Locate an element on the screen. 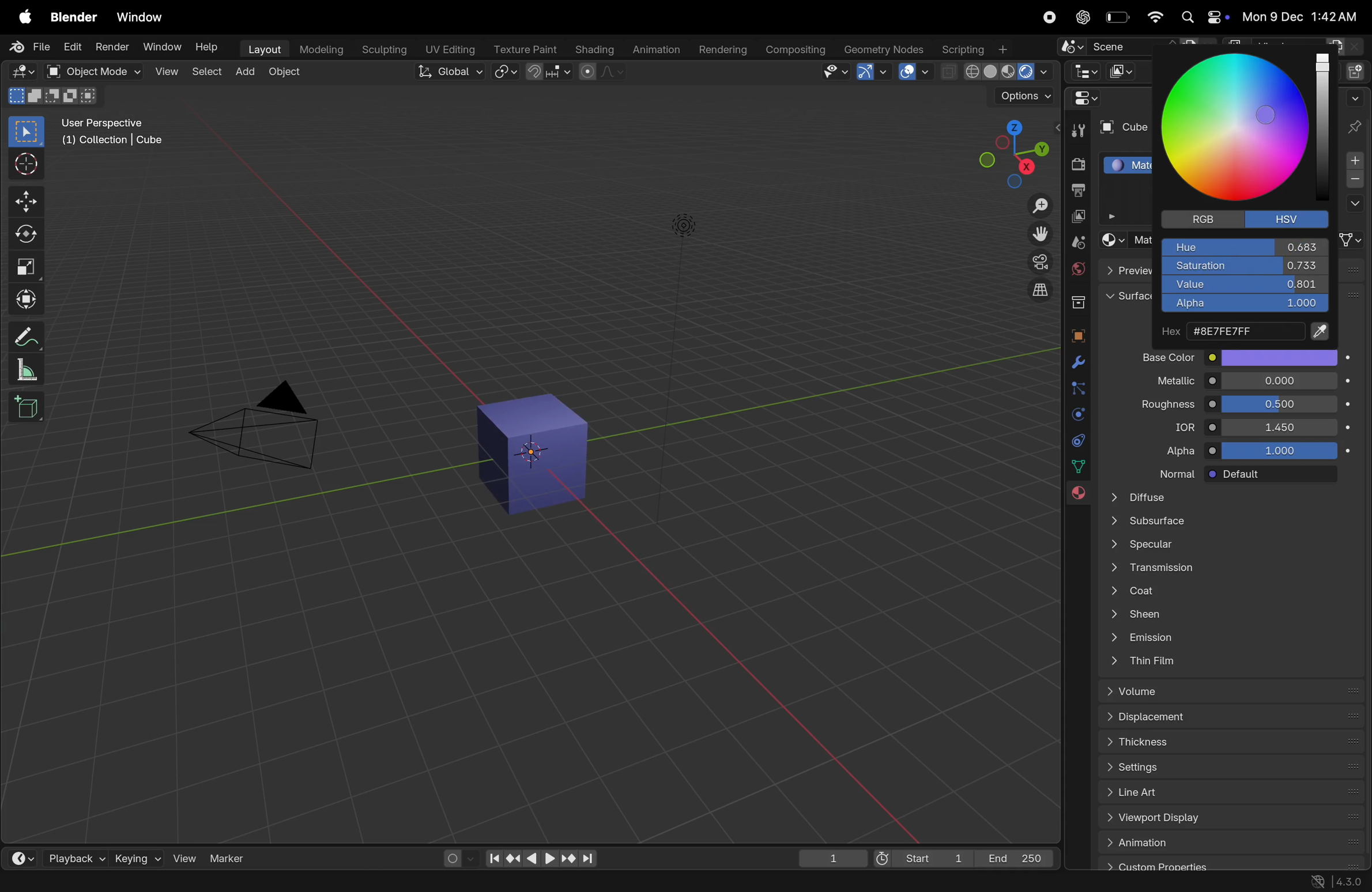 The width and height of the screenshot is (1372, 892). Hue is located at coordinates (1245, 247).